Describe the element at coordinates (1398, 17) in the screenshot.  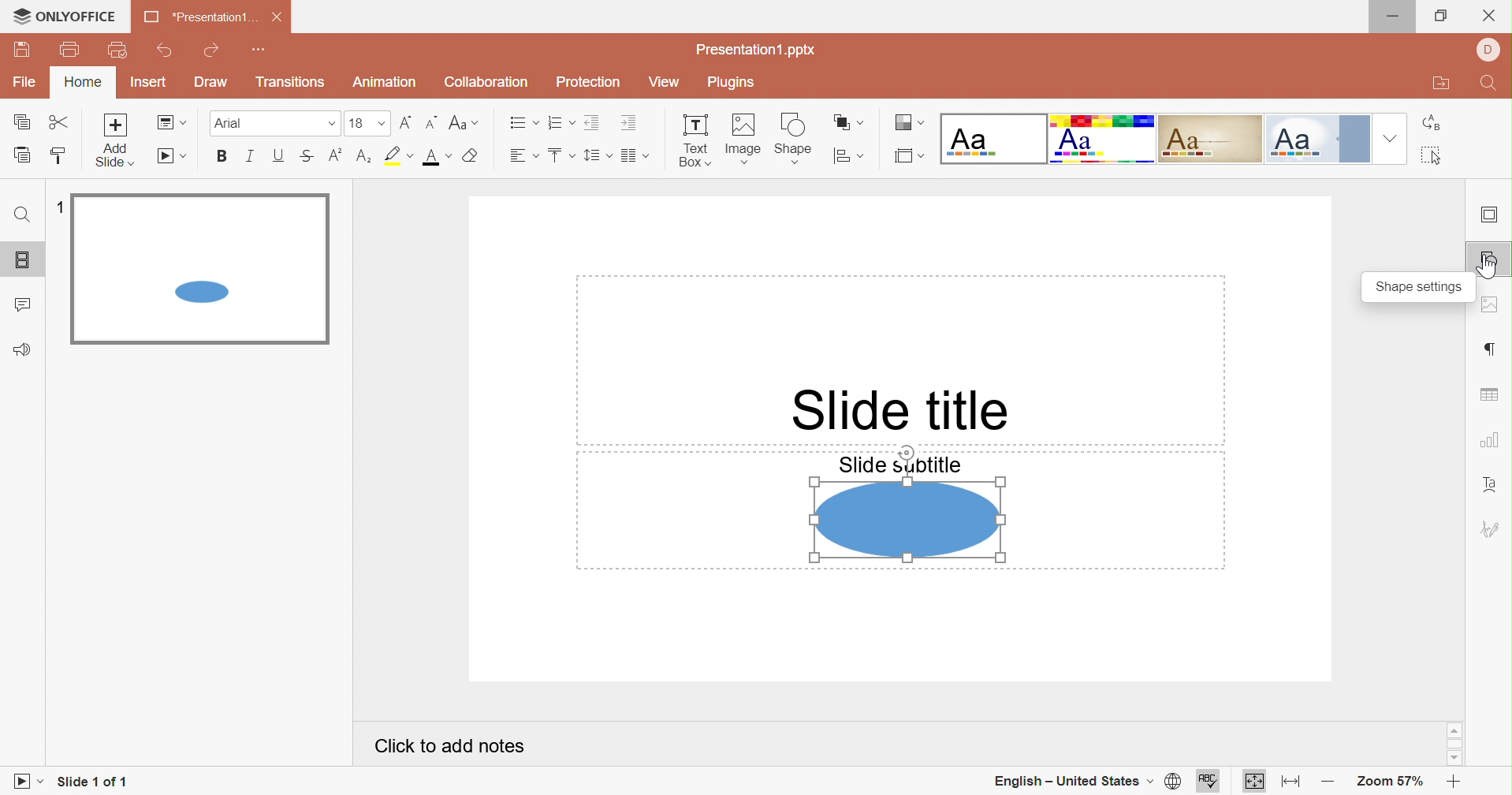
I see `Minimize` at that location.